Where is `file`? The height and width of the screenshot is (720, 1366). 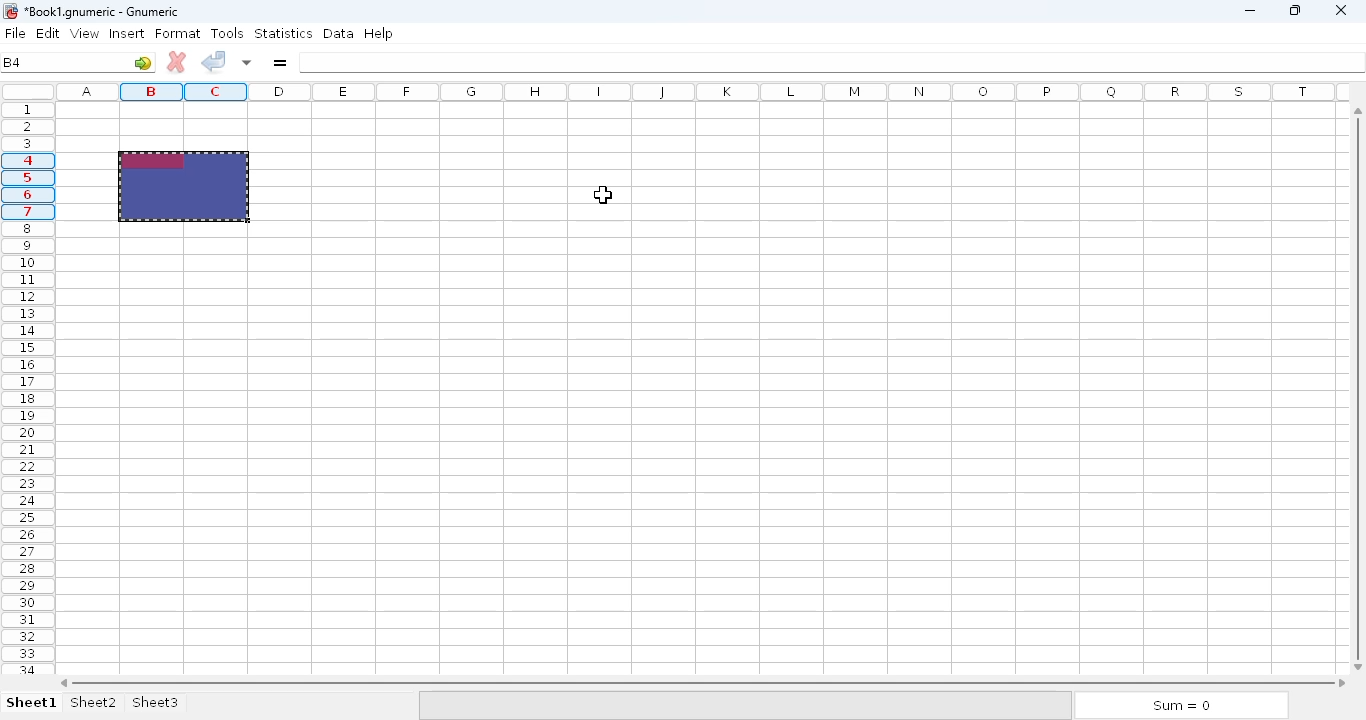 file is located at coordinates (15, 33).